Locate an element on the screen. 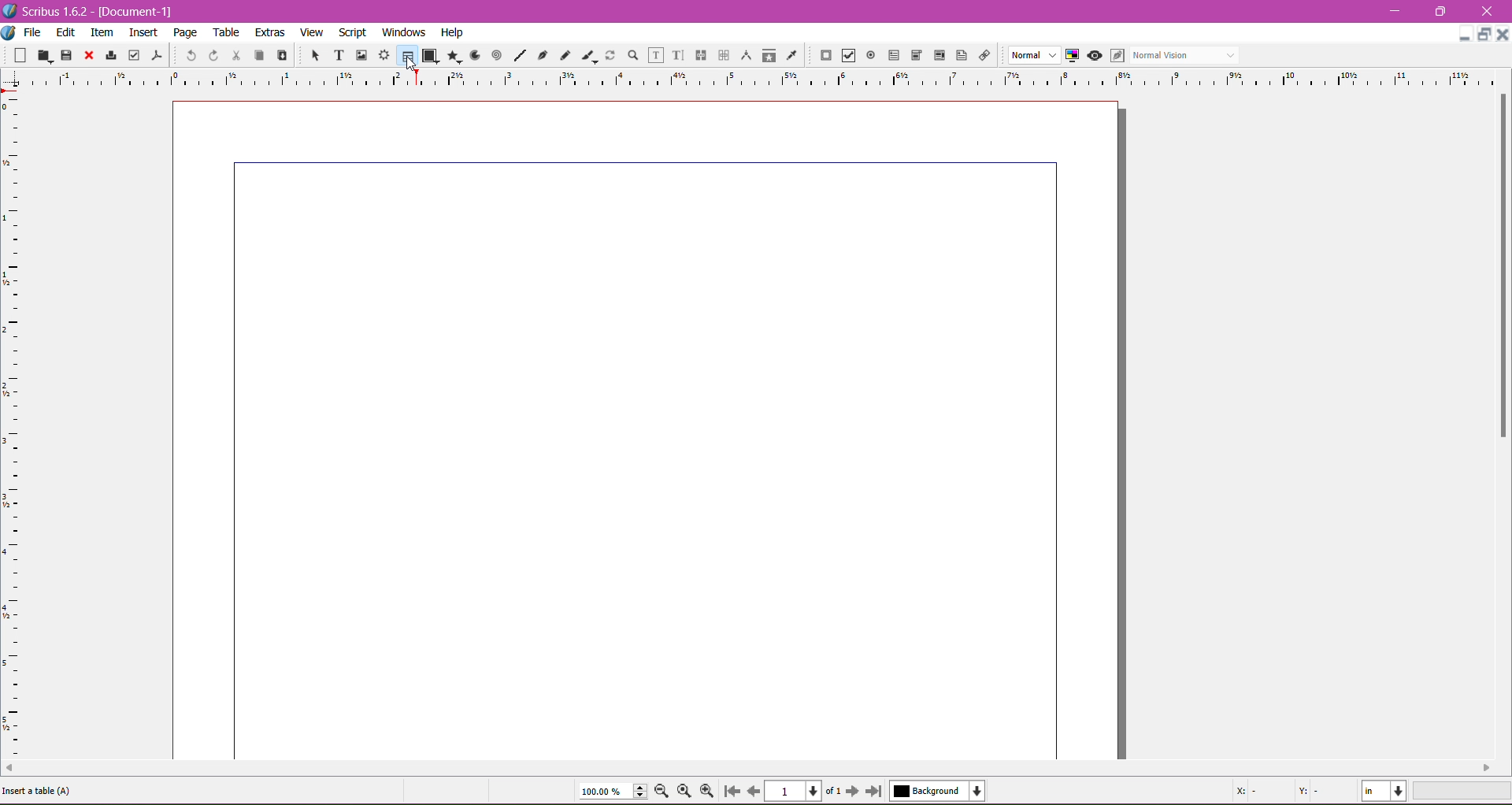 This screenshot has width=1512, height=805. Save is located at coordinates (67, 54).